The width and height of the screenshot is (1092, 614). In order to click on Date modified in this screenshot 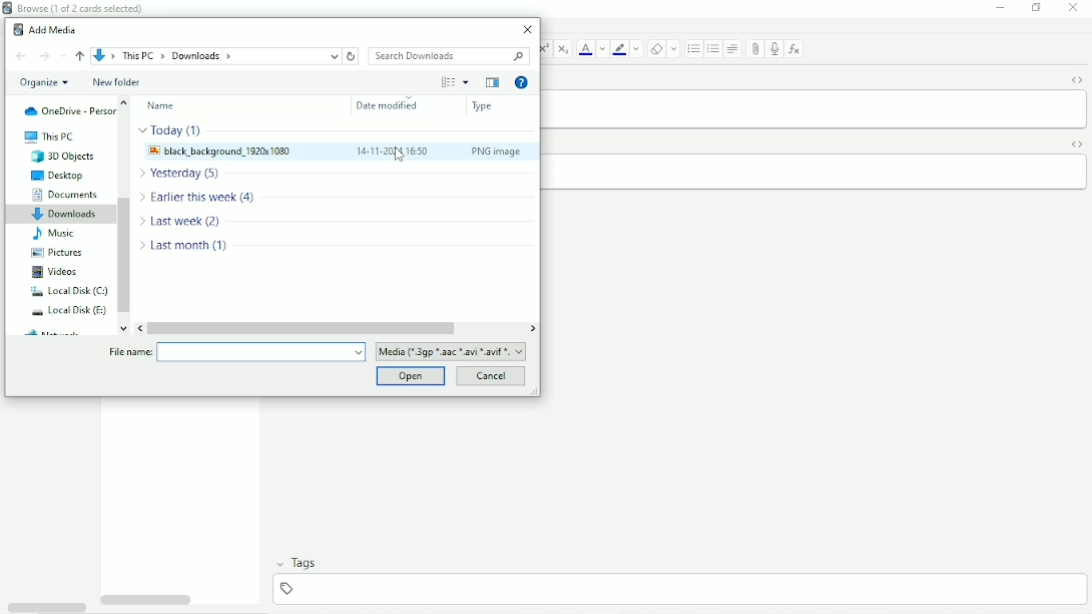, I will do `click(389, 104)`.